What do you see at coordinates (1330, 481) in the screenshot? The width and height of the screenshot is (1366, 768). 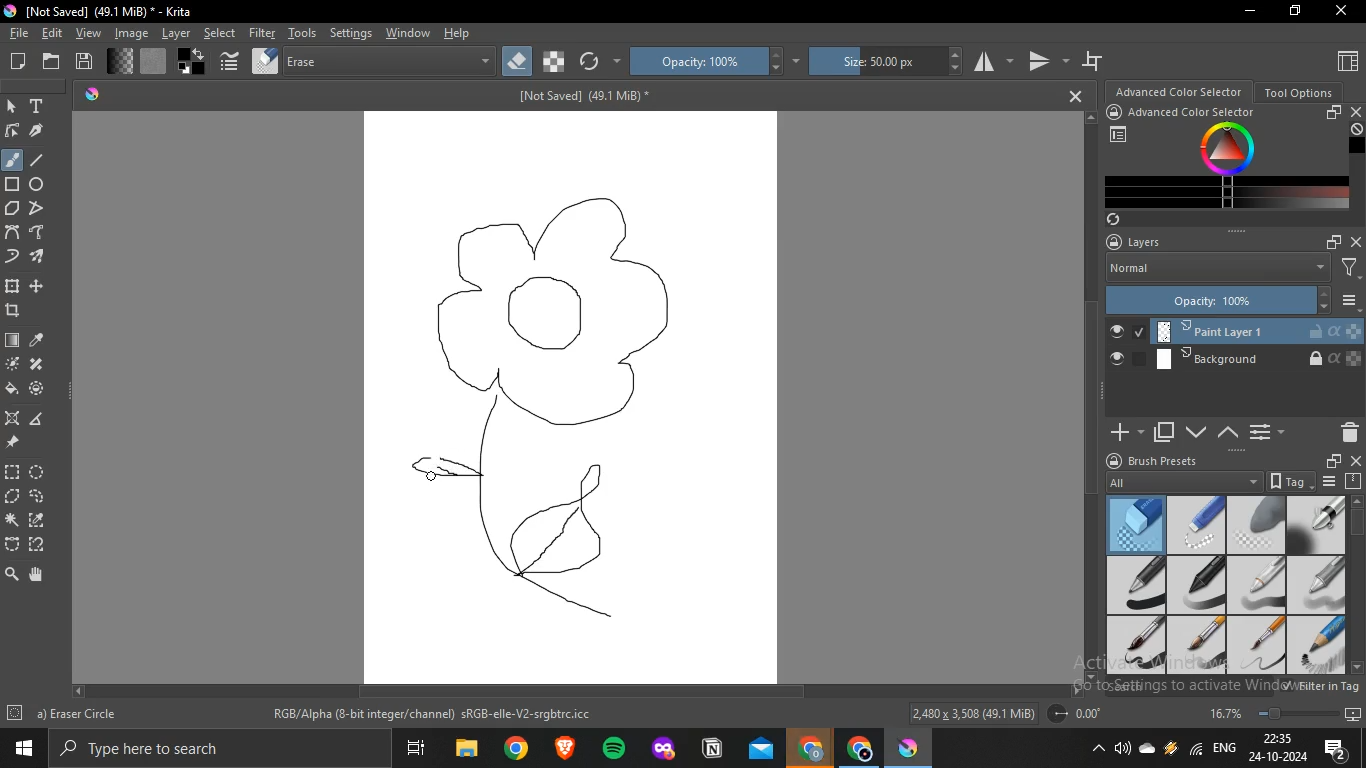 I see `Options` at bounding box center [1330, 481].